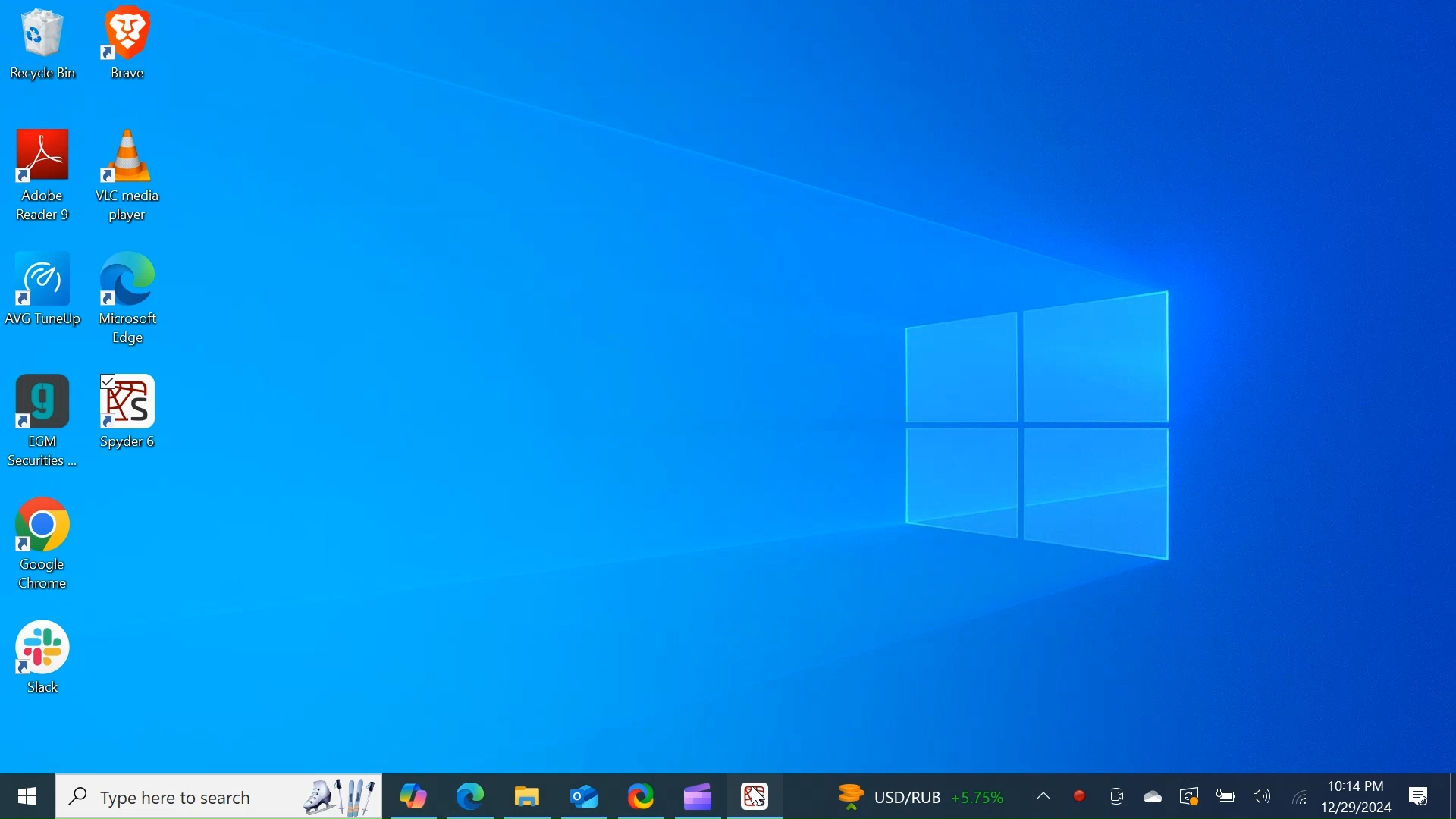 The width and height of the screenshot is (1456, 819). What do you see at coordinates (1357, 786) in the screenshot?
I see `10:14 PM` at bounding box center [1357, 786].